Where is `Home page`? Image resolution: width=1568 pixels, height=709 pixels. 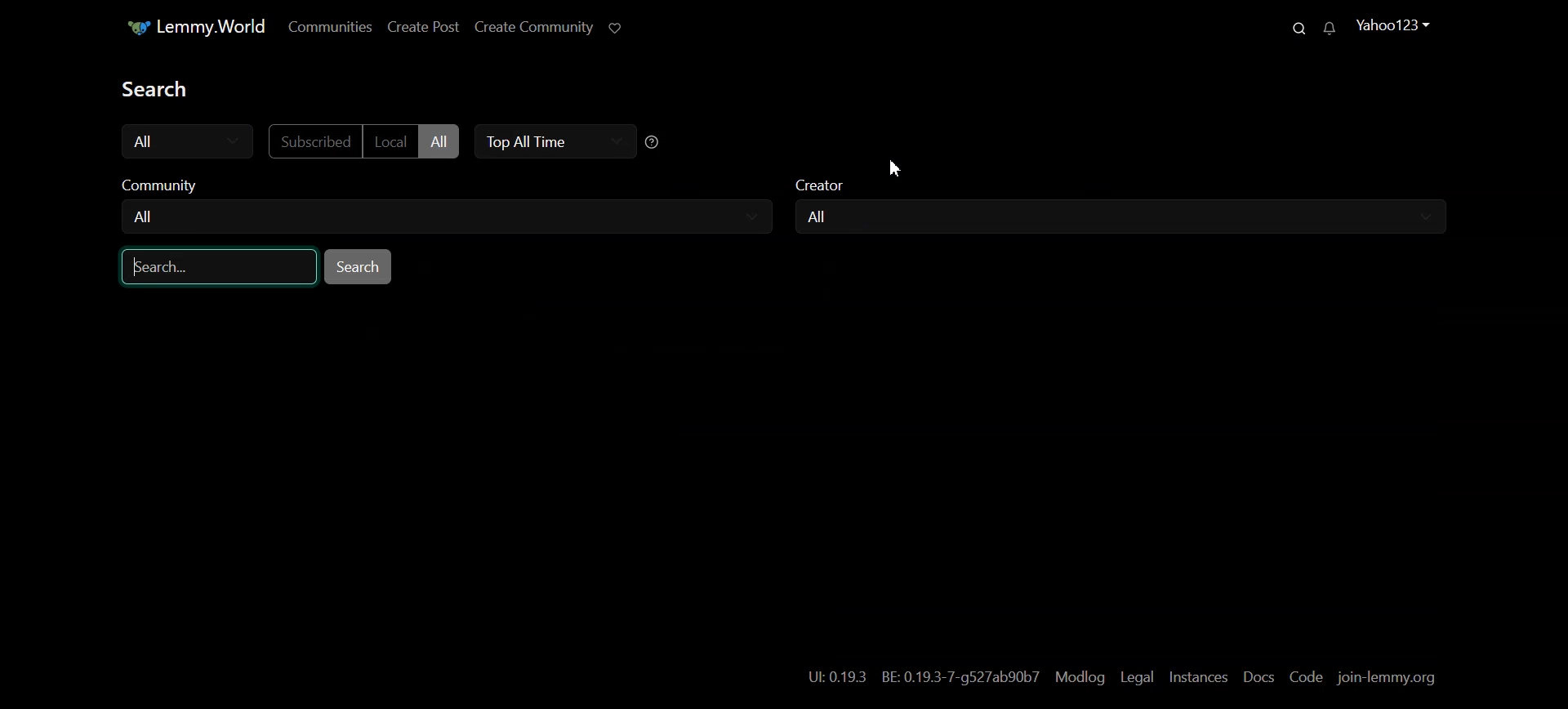
Home page is located at coordinates (188, 27).